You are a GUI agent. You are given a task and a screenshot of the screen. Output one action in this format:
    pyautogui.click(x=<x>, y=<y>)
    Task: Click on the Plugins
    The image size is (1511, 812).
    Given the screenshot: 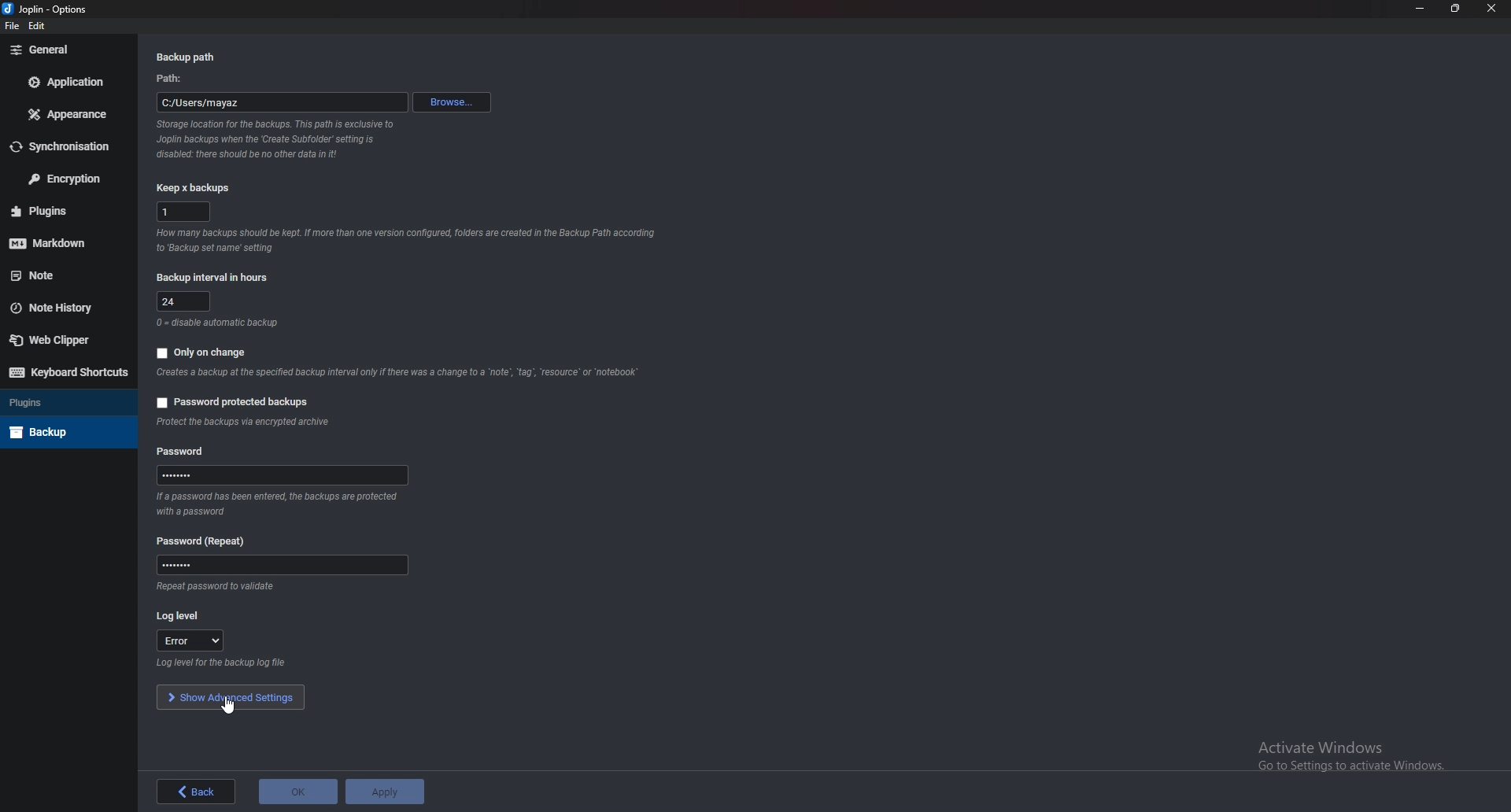 What is the action you would take?
    pyautogui.click(x=65, y=403)
    